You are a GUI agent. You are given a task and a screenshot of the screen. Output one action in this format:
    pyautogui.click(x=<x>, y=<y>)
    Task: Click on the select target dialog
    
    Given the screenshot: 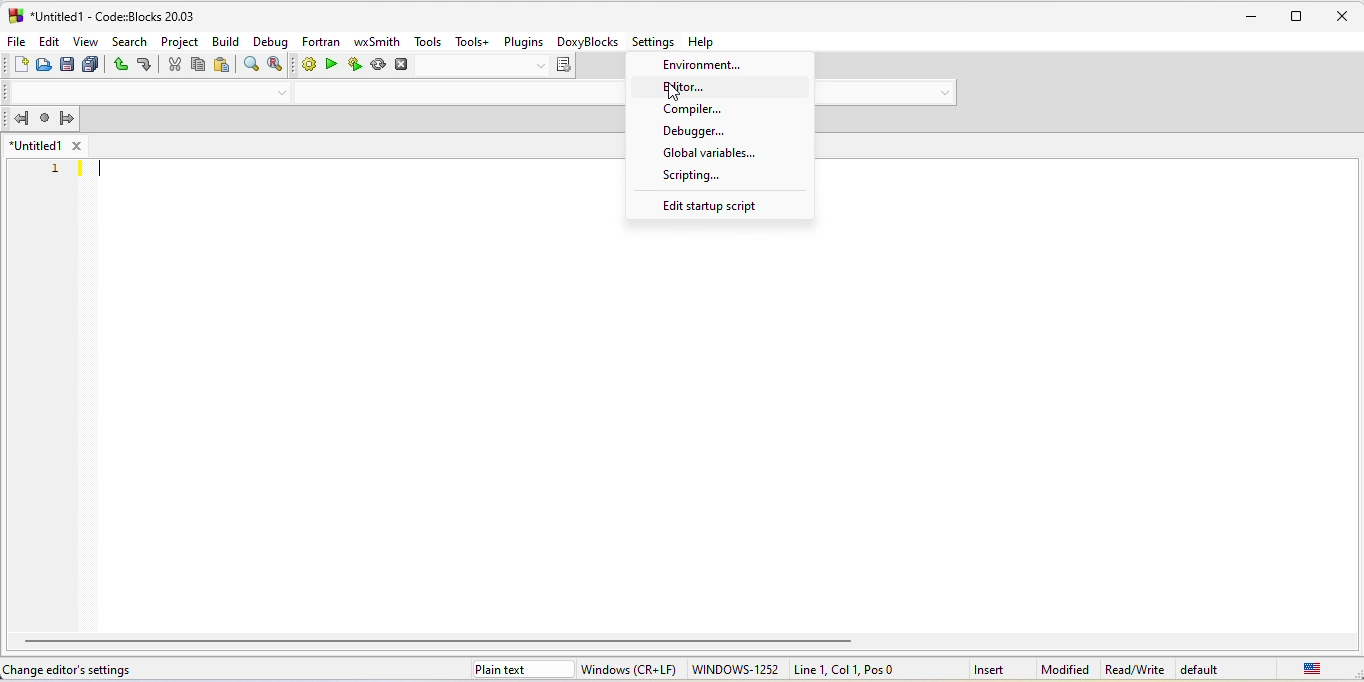 What is the action you would take?
    pyautogui.click(x=494, y=66)
    